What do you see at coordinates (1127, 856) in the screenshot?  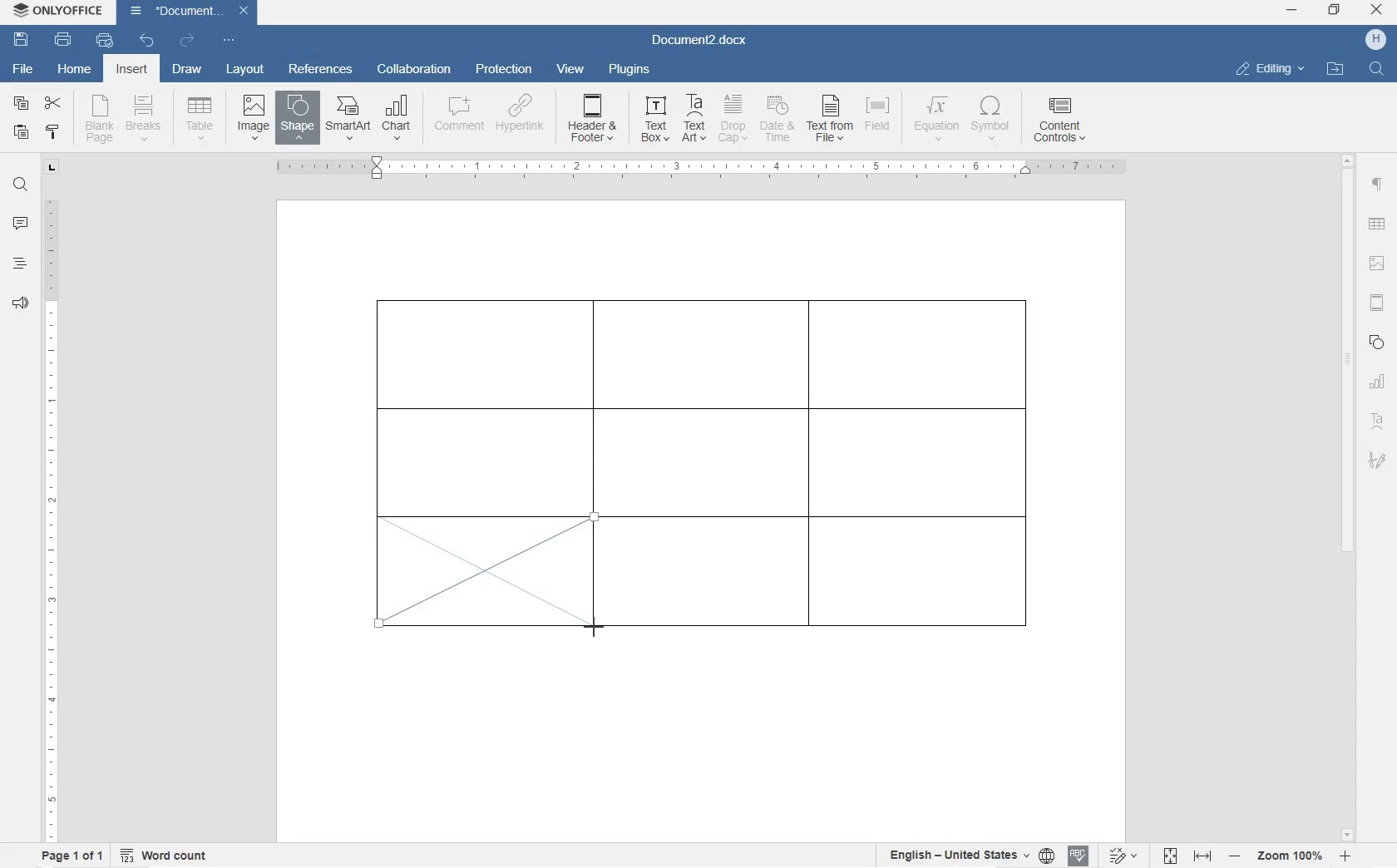 I see `track changes` at bounding box center [1127, 856].